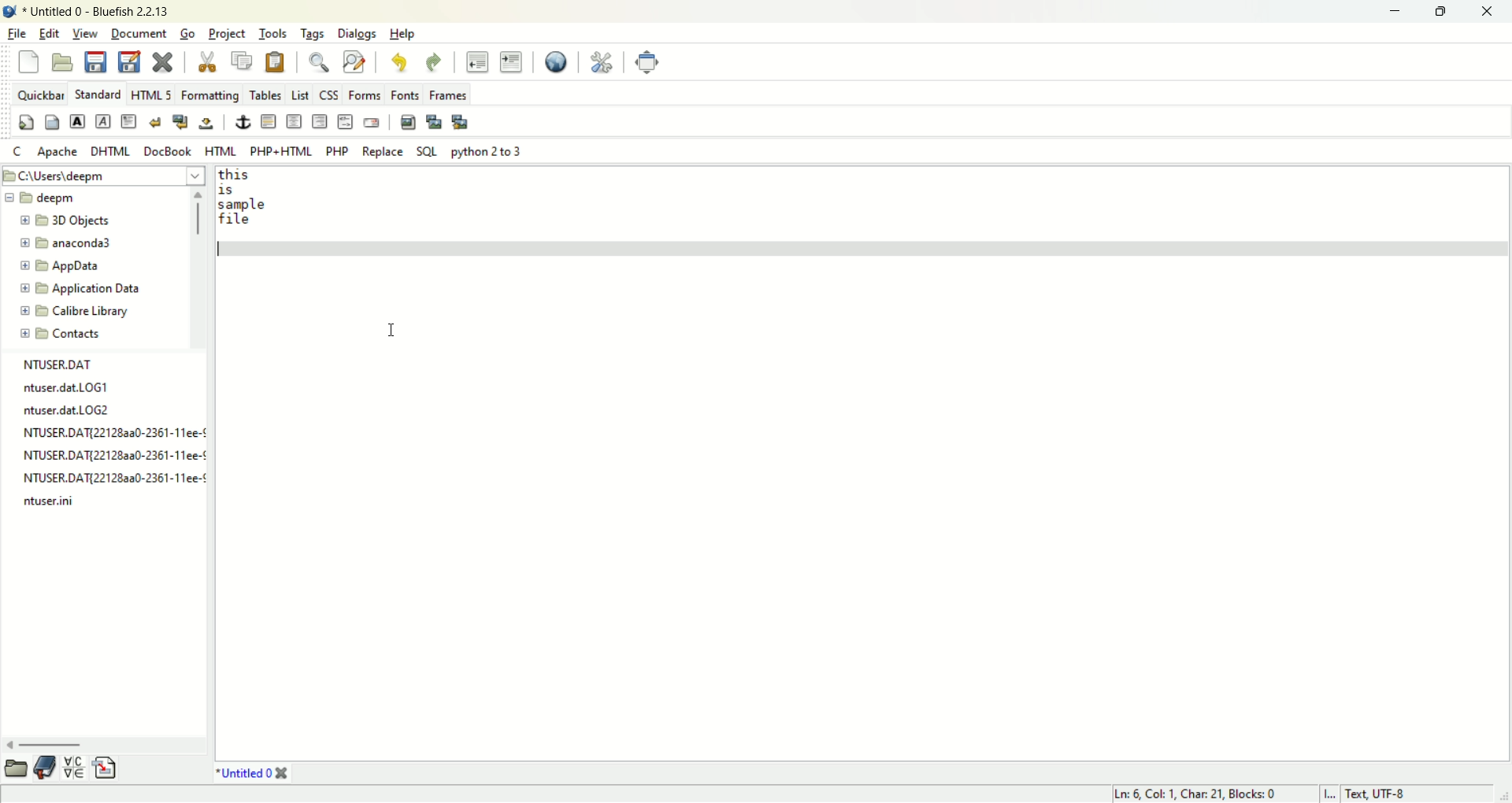 Image resolution: width=1512 pixels, height=803 pixels. What do you see at coordinates (17, 33) in the screenshot?
I see `file` at bounding box center [17, 33].